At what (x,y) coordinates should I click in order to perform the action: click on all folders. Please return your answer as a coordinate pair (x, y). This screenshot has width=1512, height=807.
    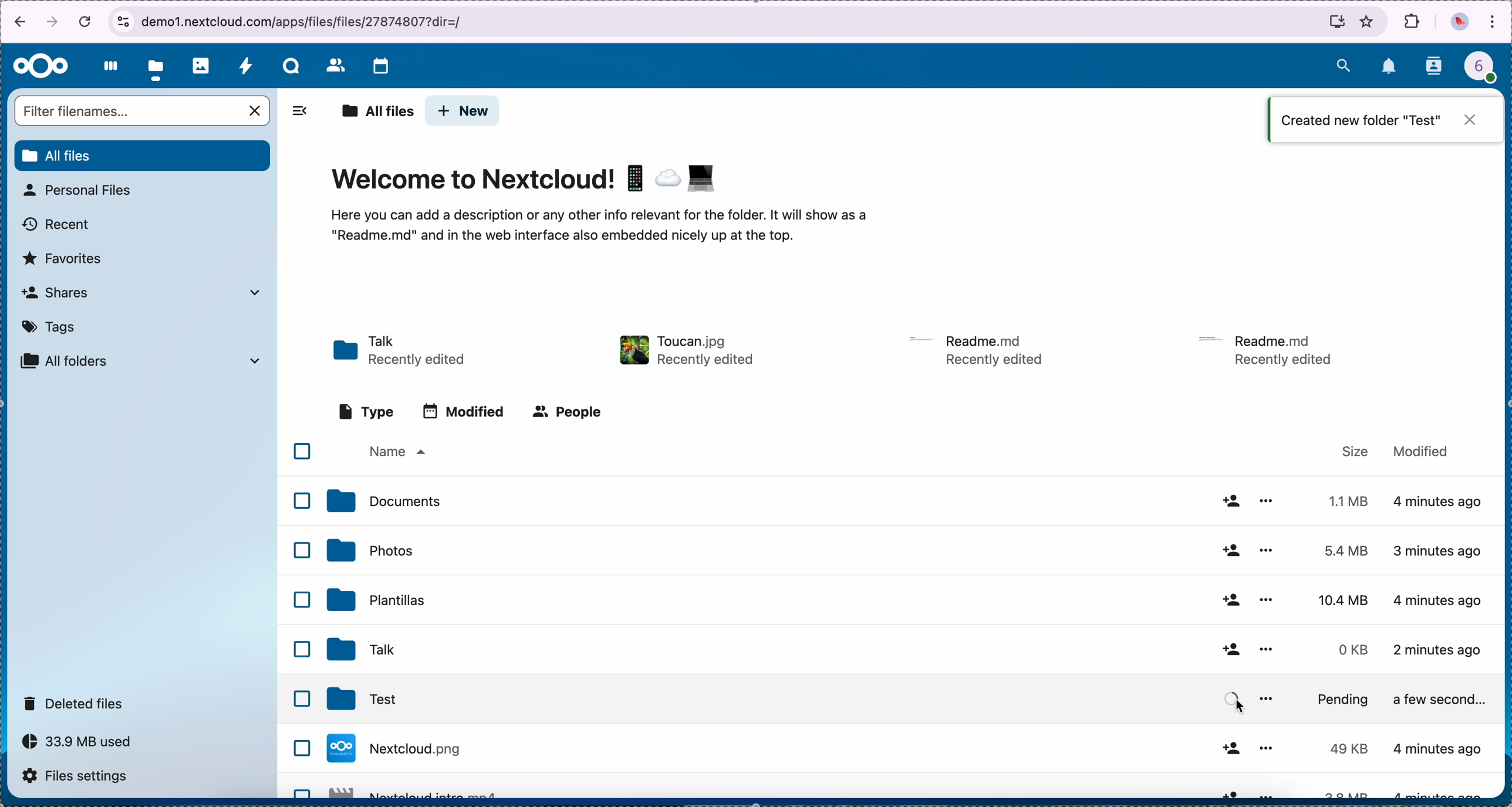
    Looking at the image, I should click on (141, 361).